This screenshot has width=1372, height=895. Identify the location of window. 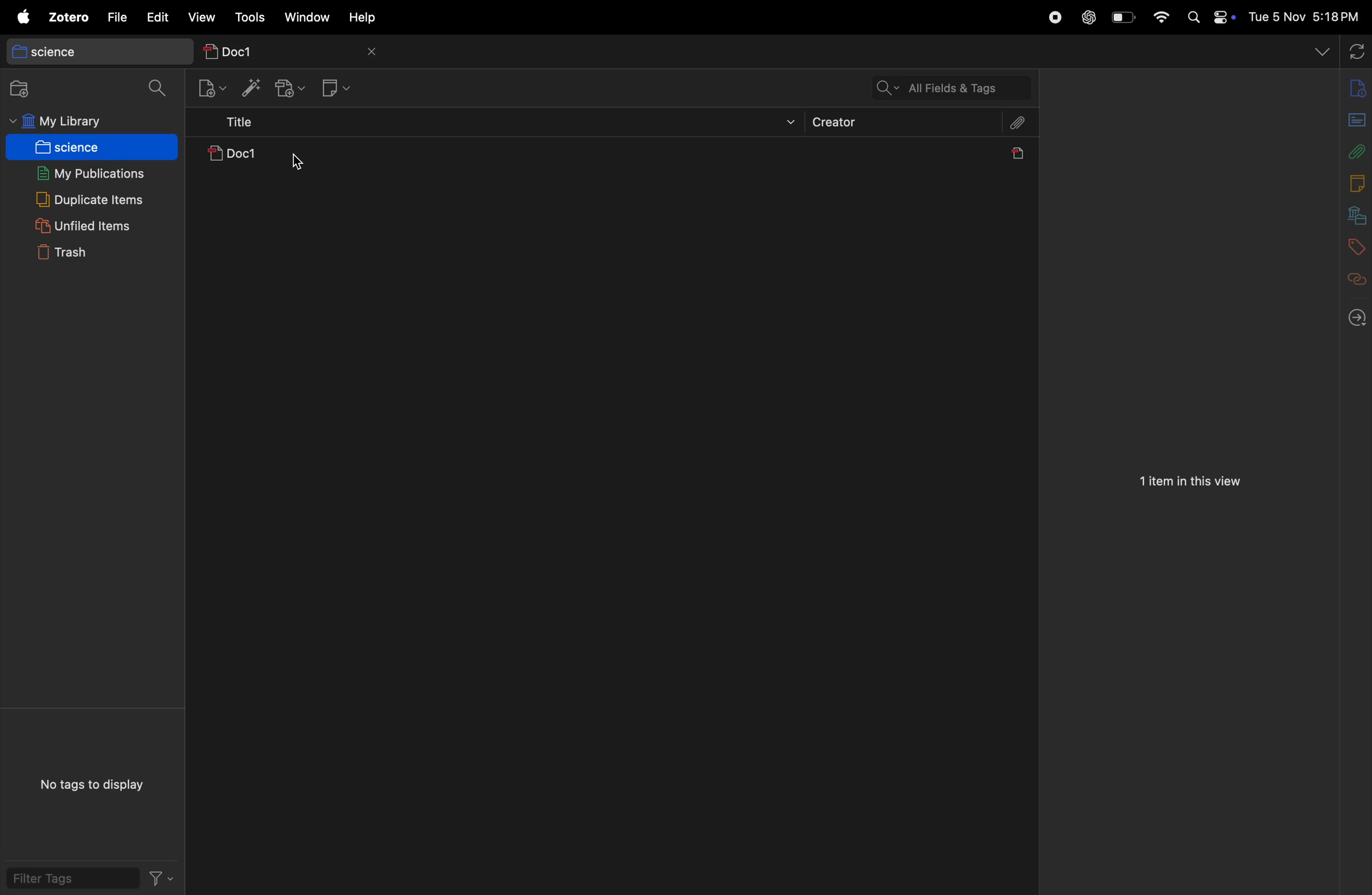
(311, 18).